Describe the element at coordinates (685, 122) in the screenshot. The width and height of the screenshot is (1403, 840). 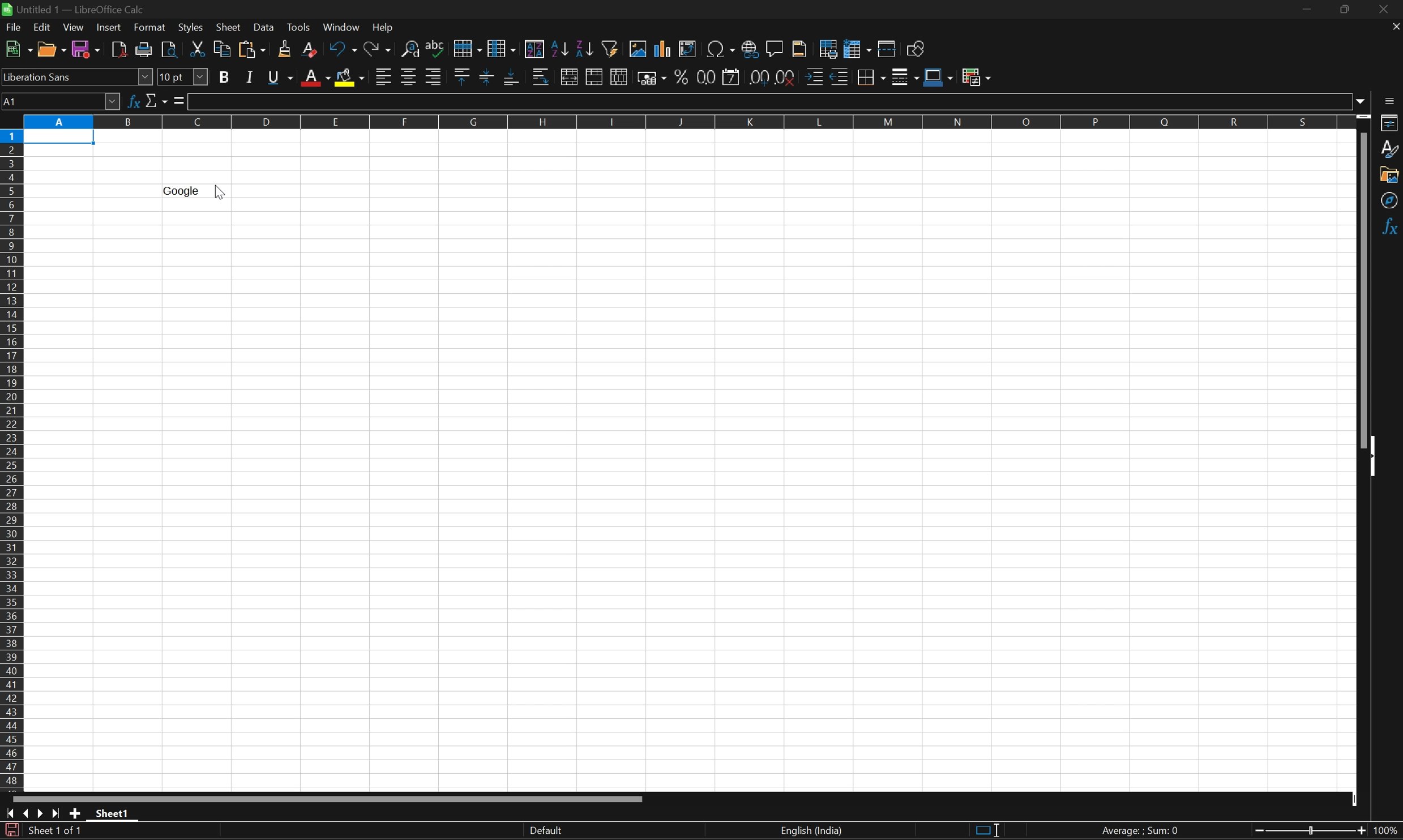
I see `Column names` at that location.